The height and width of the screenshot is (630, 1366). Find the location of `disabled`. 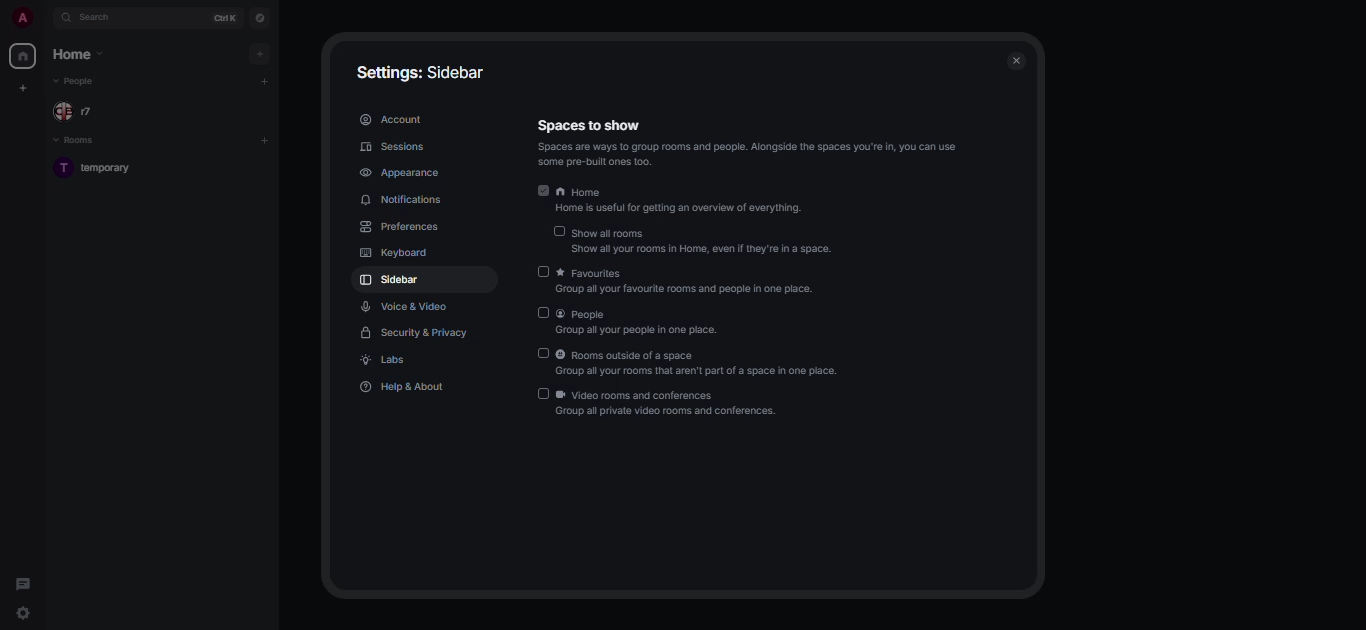

disabled is located at coordinates (544, 313).